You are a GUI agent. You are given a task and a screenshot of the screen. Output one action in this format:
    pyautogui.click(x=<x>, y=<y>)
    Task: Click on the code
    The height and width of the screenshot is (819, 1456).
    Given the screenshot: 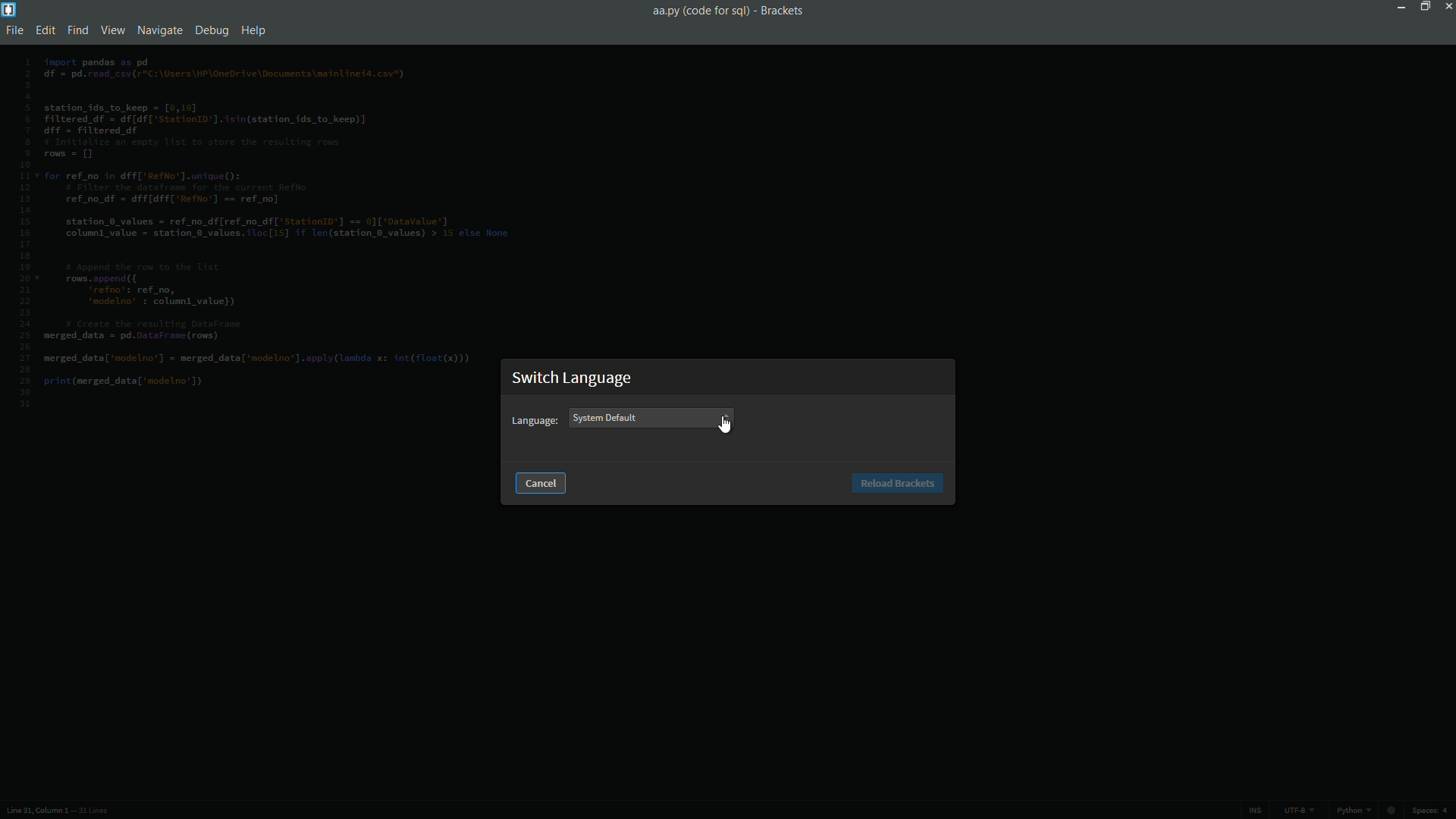 What is the action you would take?
    pyautogui.click(x=268, y=226)
    